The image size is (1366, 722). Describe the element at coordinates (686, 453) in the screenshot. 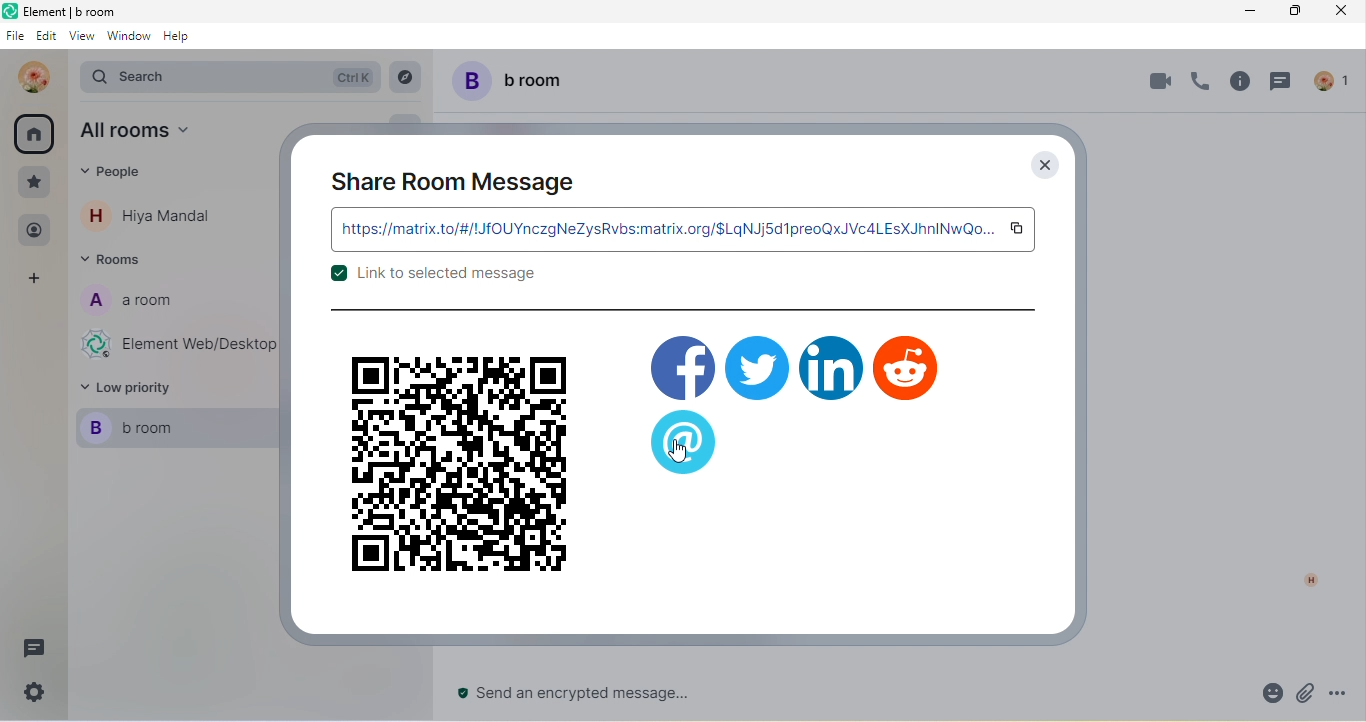

I see `cursor movement` at that location.